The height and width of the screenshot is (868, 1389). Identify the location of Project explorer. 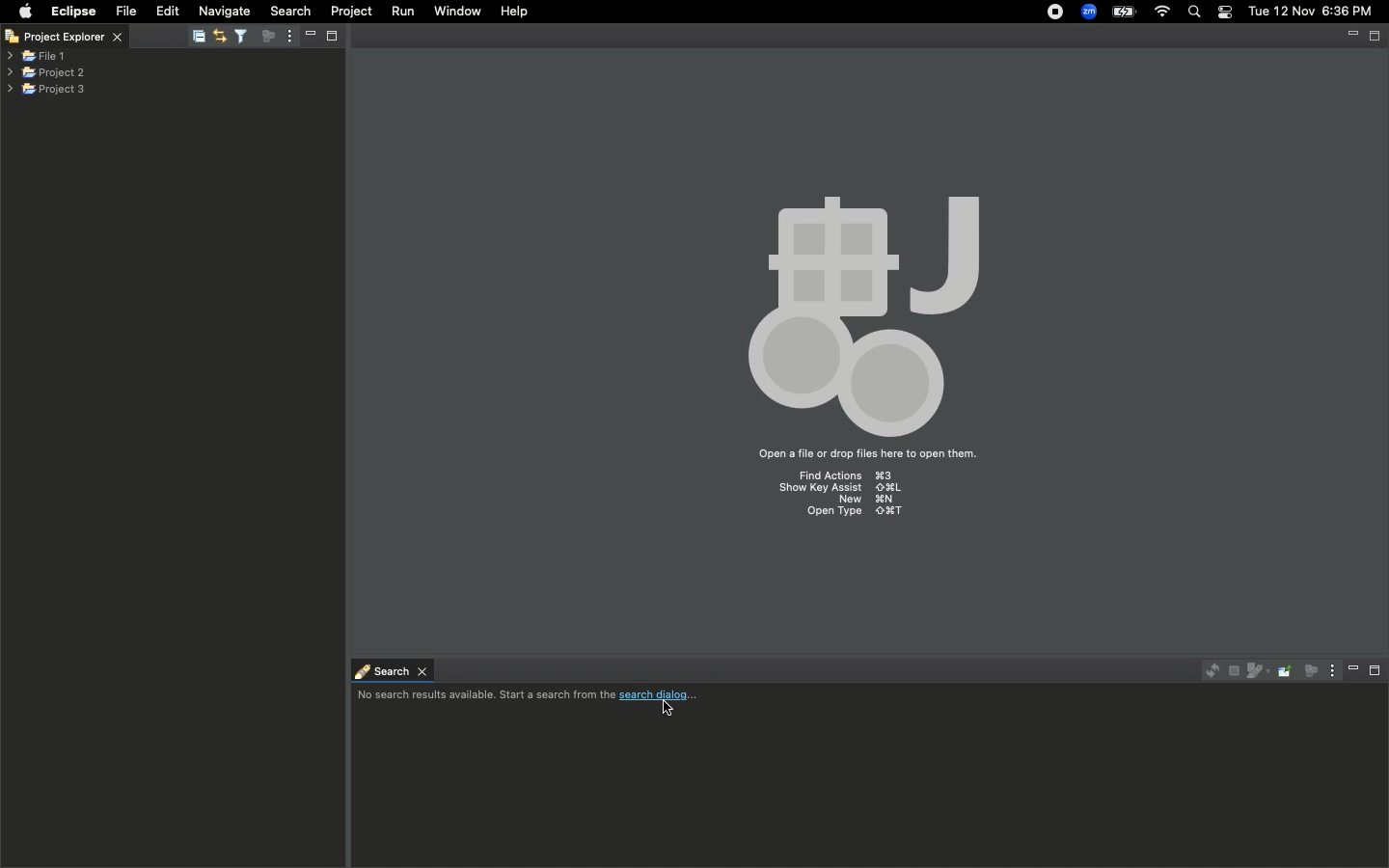
(77, 36).